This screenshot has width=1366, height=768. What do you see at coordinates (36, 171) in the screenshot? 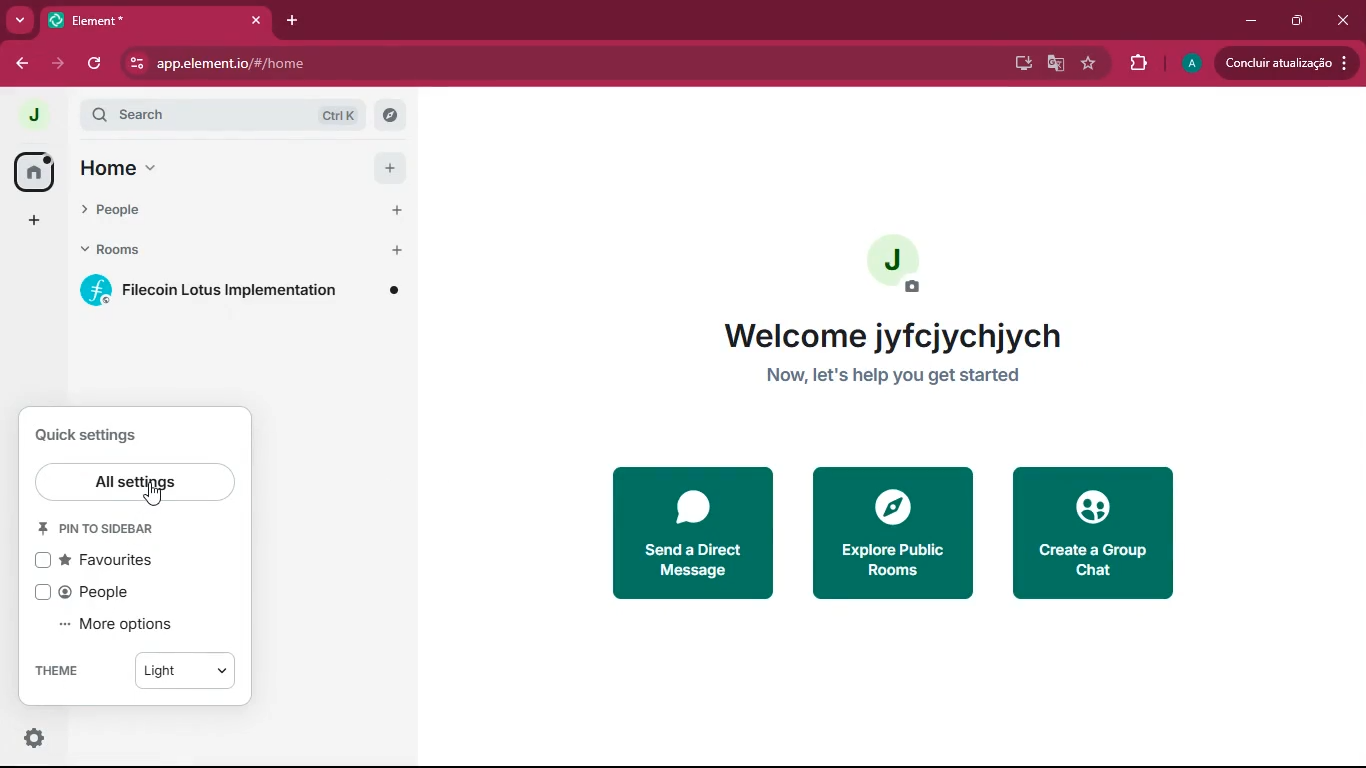
I see `home` at bounding box center [36, 171].